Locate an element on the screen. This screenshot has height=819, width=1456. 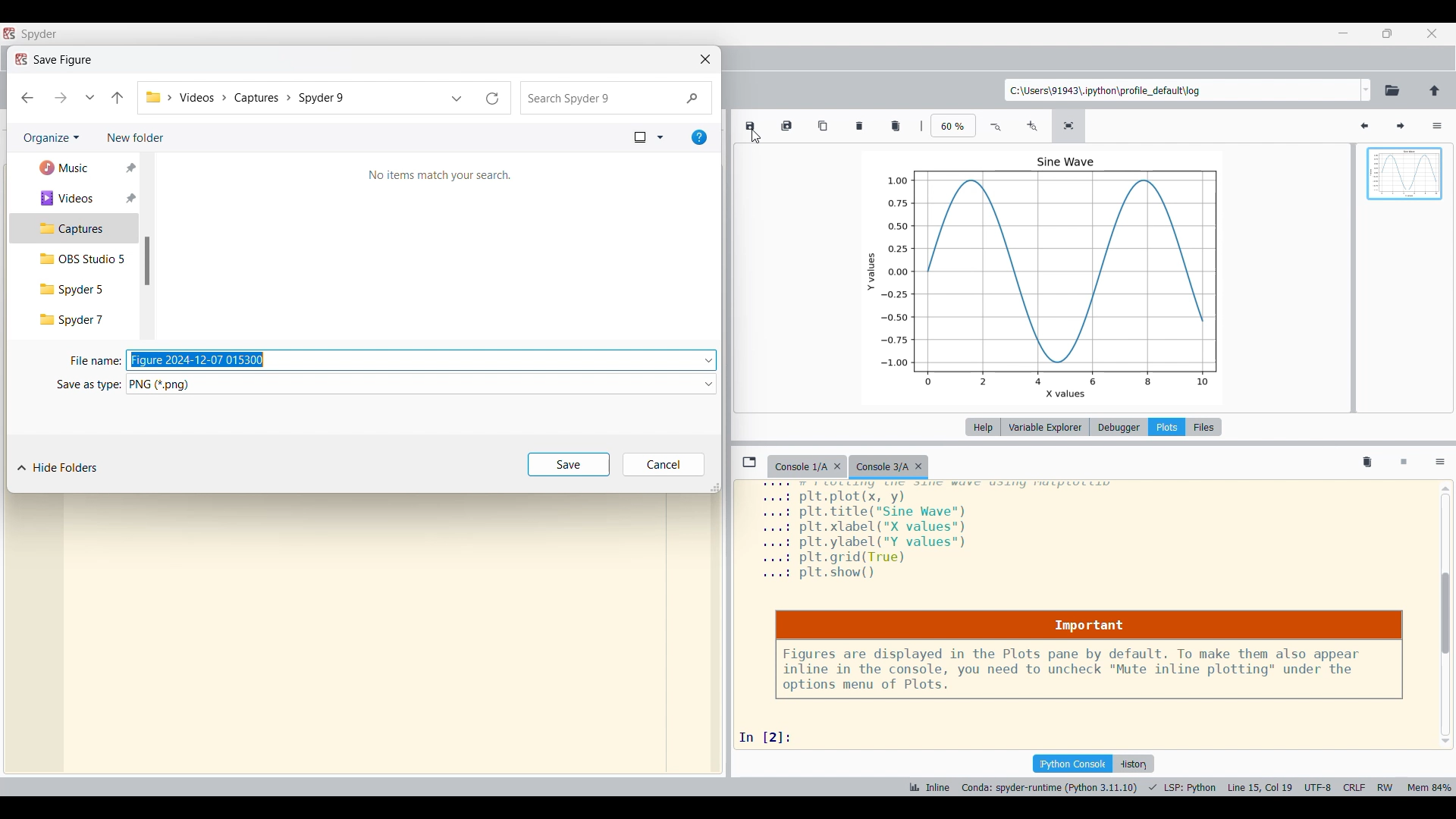
Remove plot is located at coordinates (860, 126).